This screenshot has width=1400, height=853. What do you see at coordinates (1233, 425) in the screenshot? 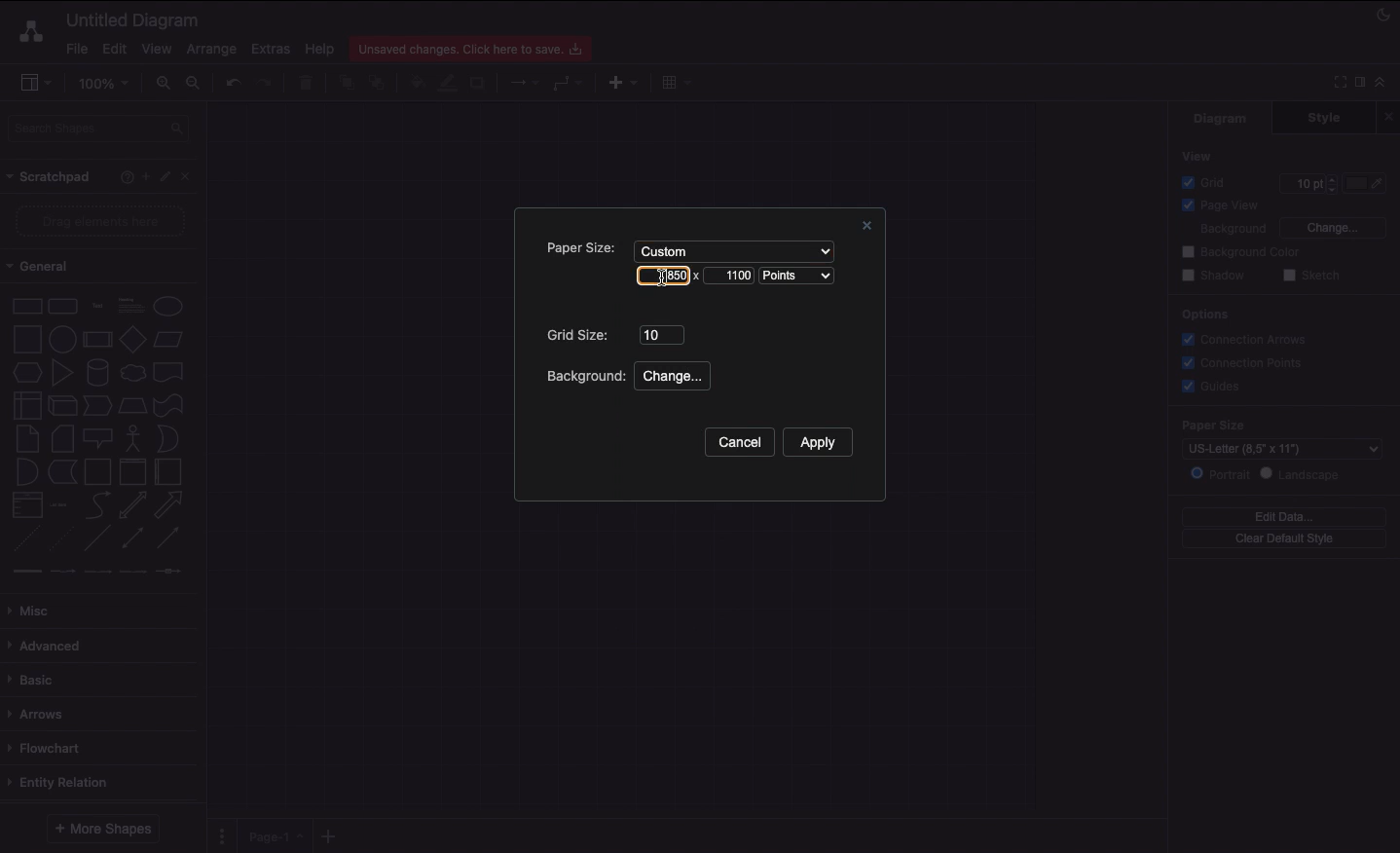
I see `Paper size` at bounding box center [1233, 425].